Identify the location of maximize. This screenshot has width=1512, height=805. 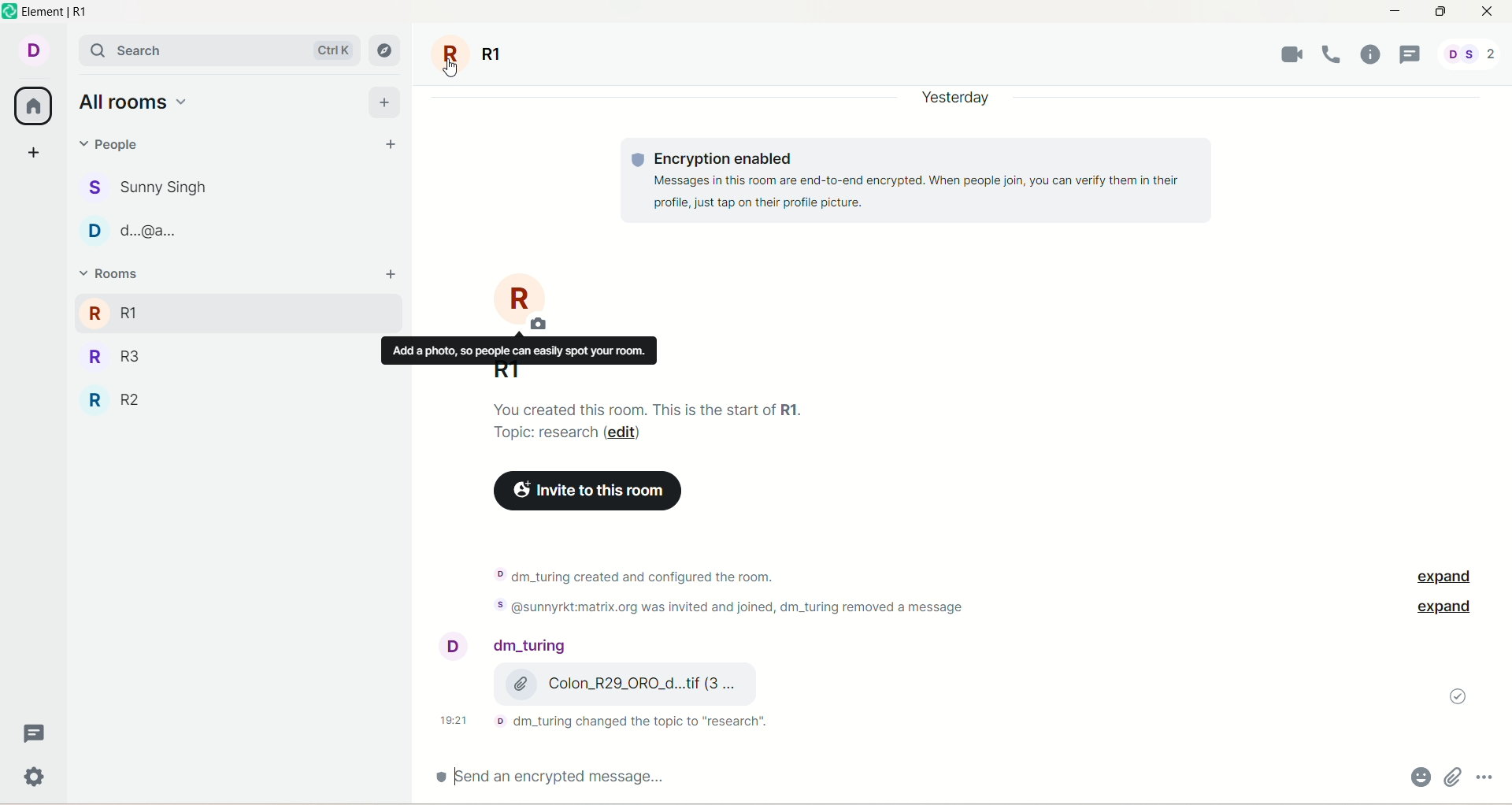
(1440, 14).